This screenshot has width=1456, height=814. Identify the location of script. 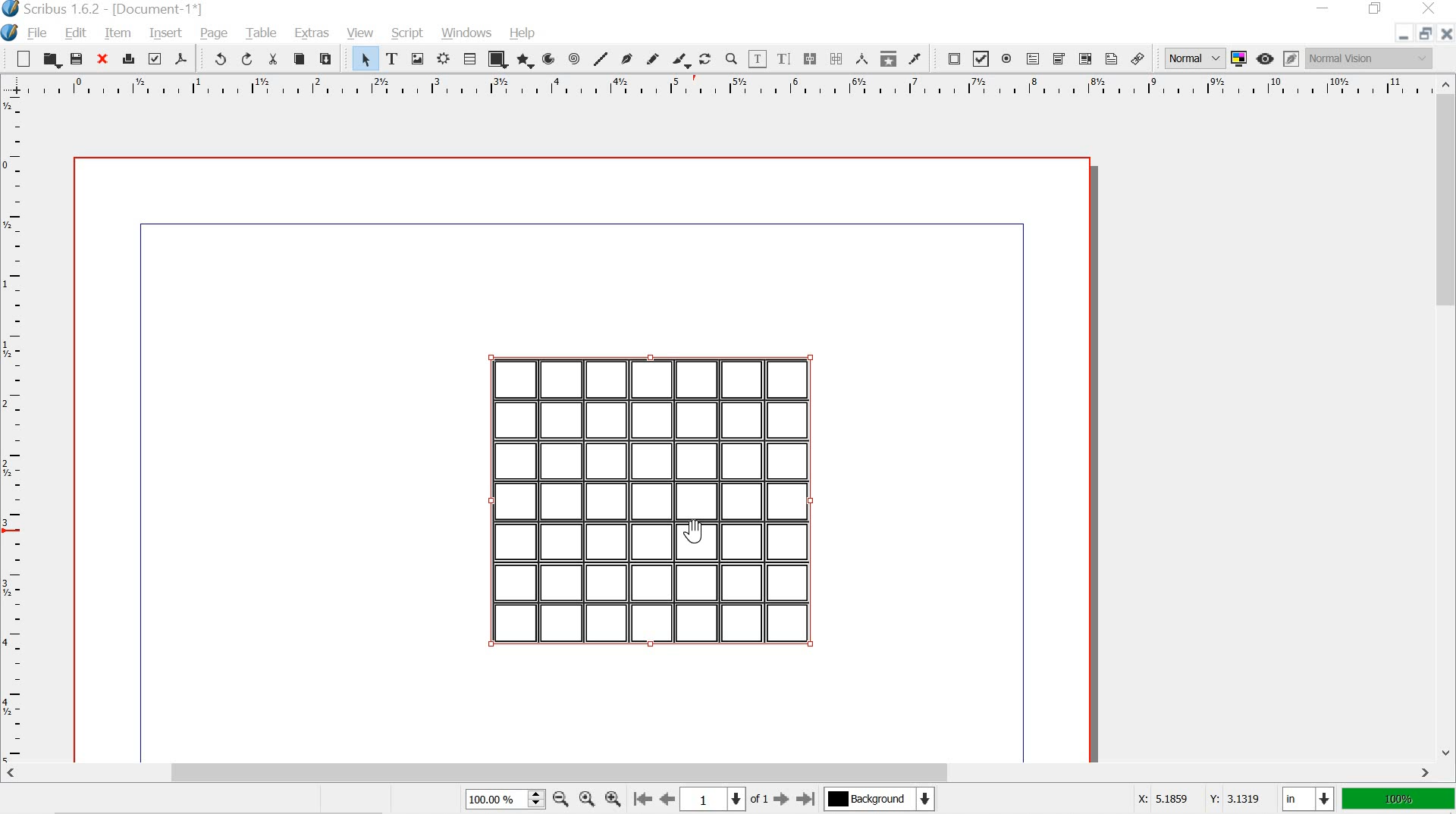
(408, 34).